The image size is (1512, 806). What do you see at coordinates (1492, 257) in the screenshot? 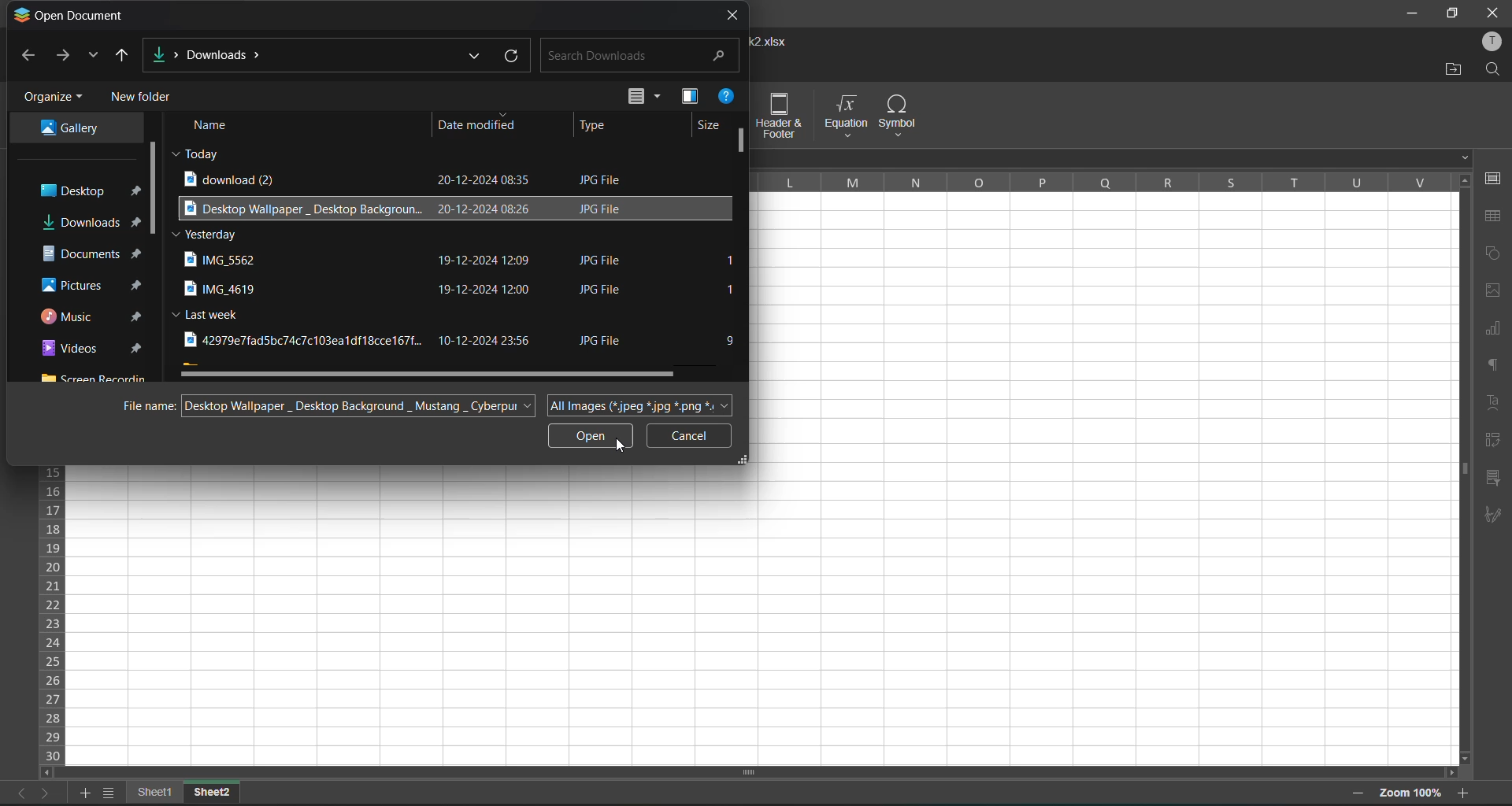
I see `shapes` at bounding box center [1492, 257].